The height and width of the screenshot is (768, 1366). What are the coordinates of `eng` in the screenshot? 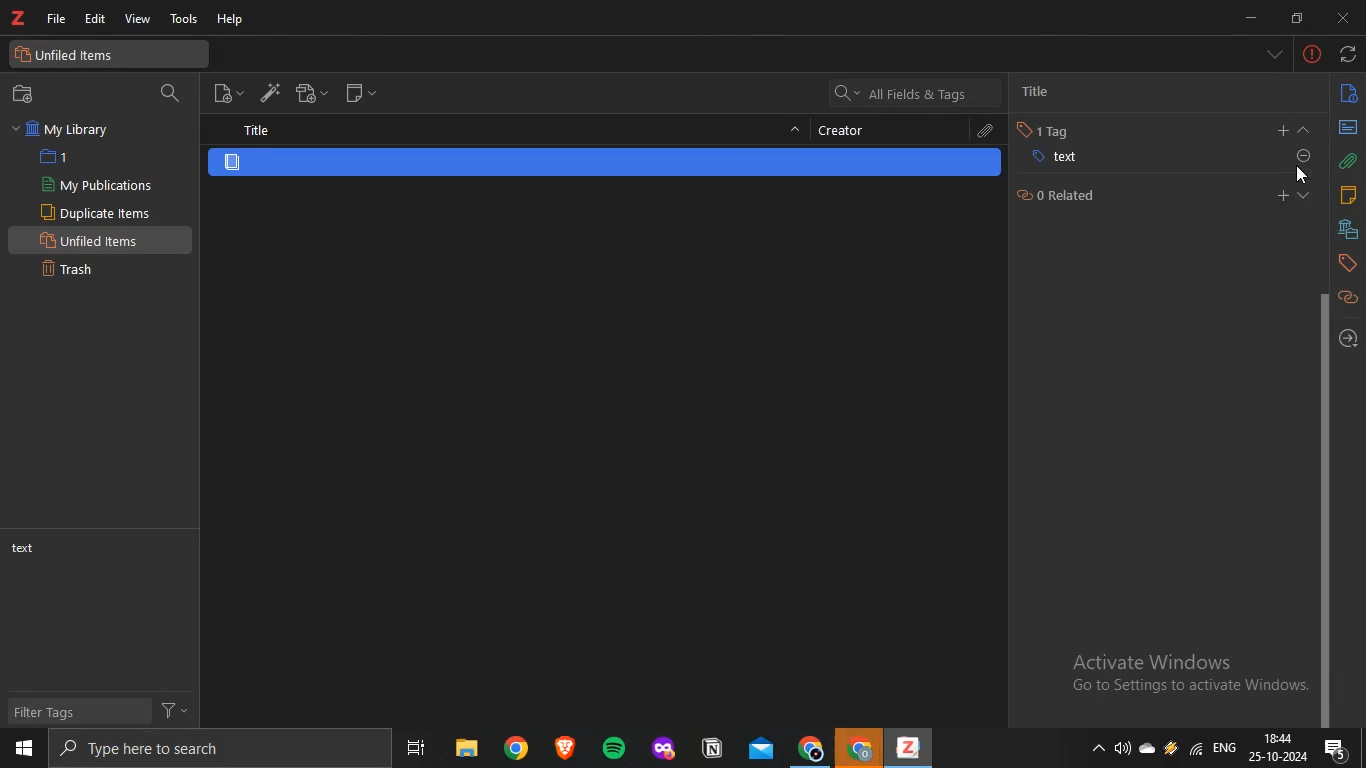 It's located at (1224, 750).